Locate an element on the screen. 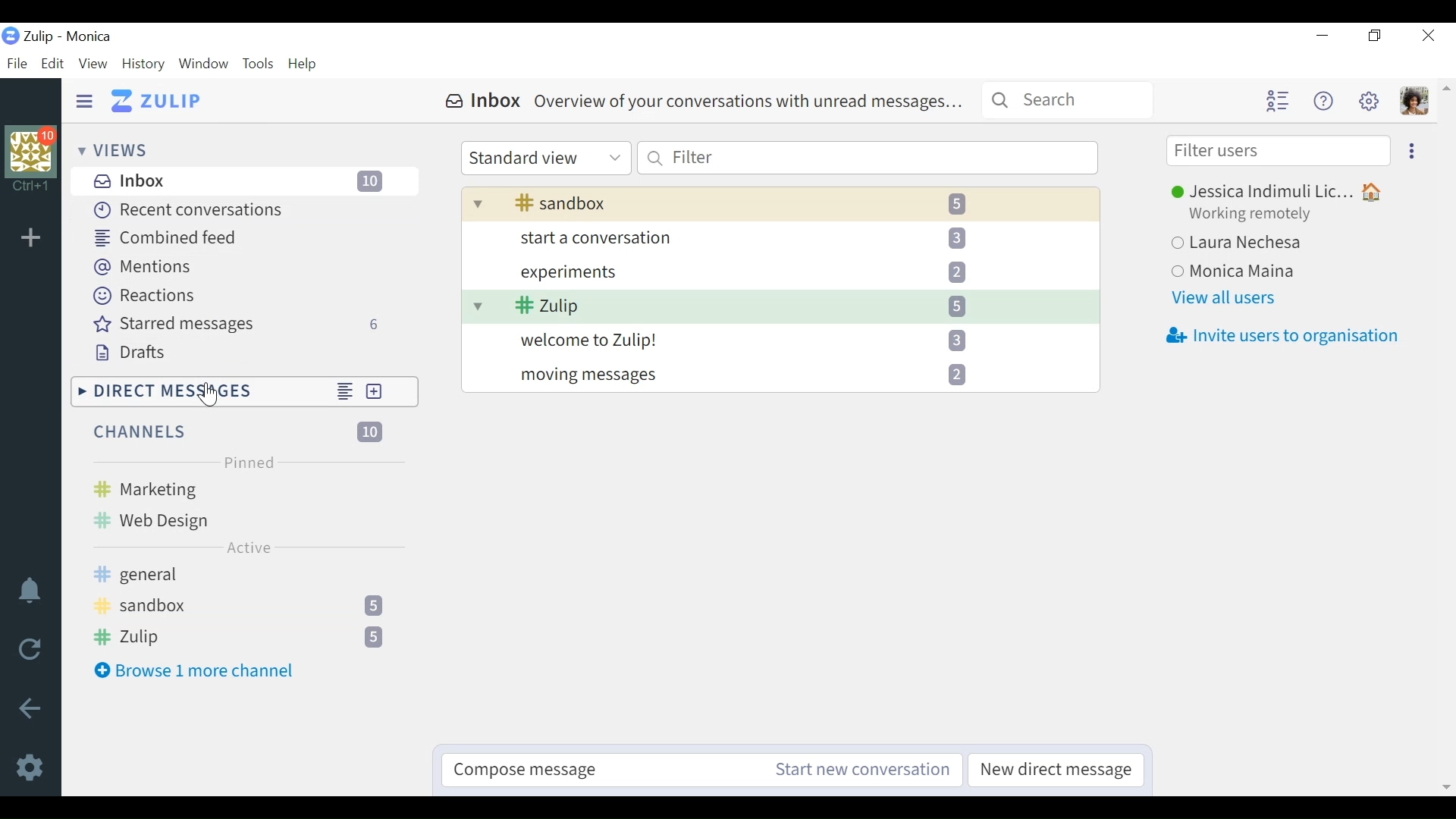 This screenshot has height=819, width=1456. Users is located at coordinates (1293, 233).